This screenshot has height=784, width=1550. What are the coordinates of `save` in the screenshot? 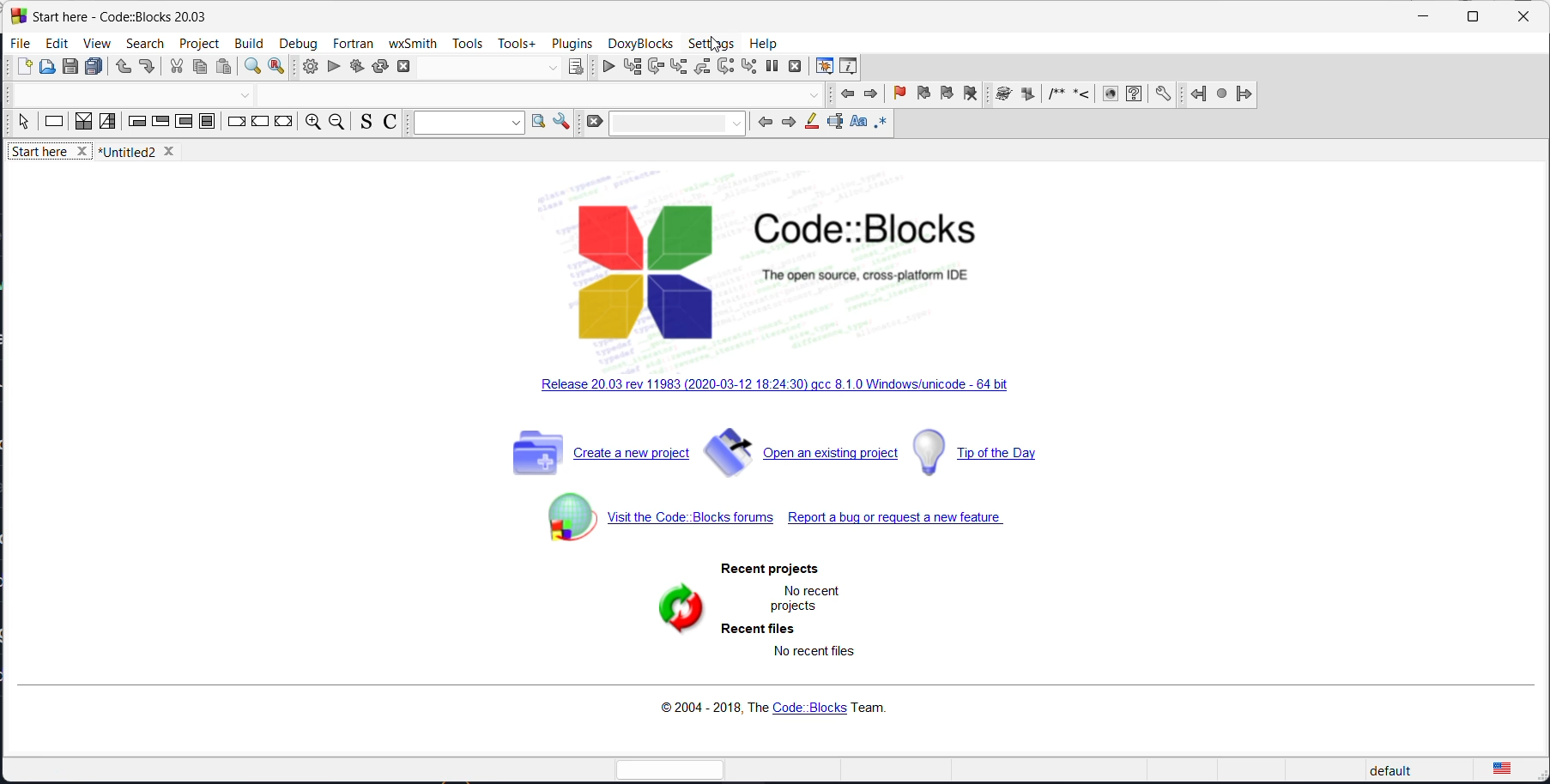 It's located at (72, 67).